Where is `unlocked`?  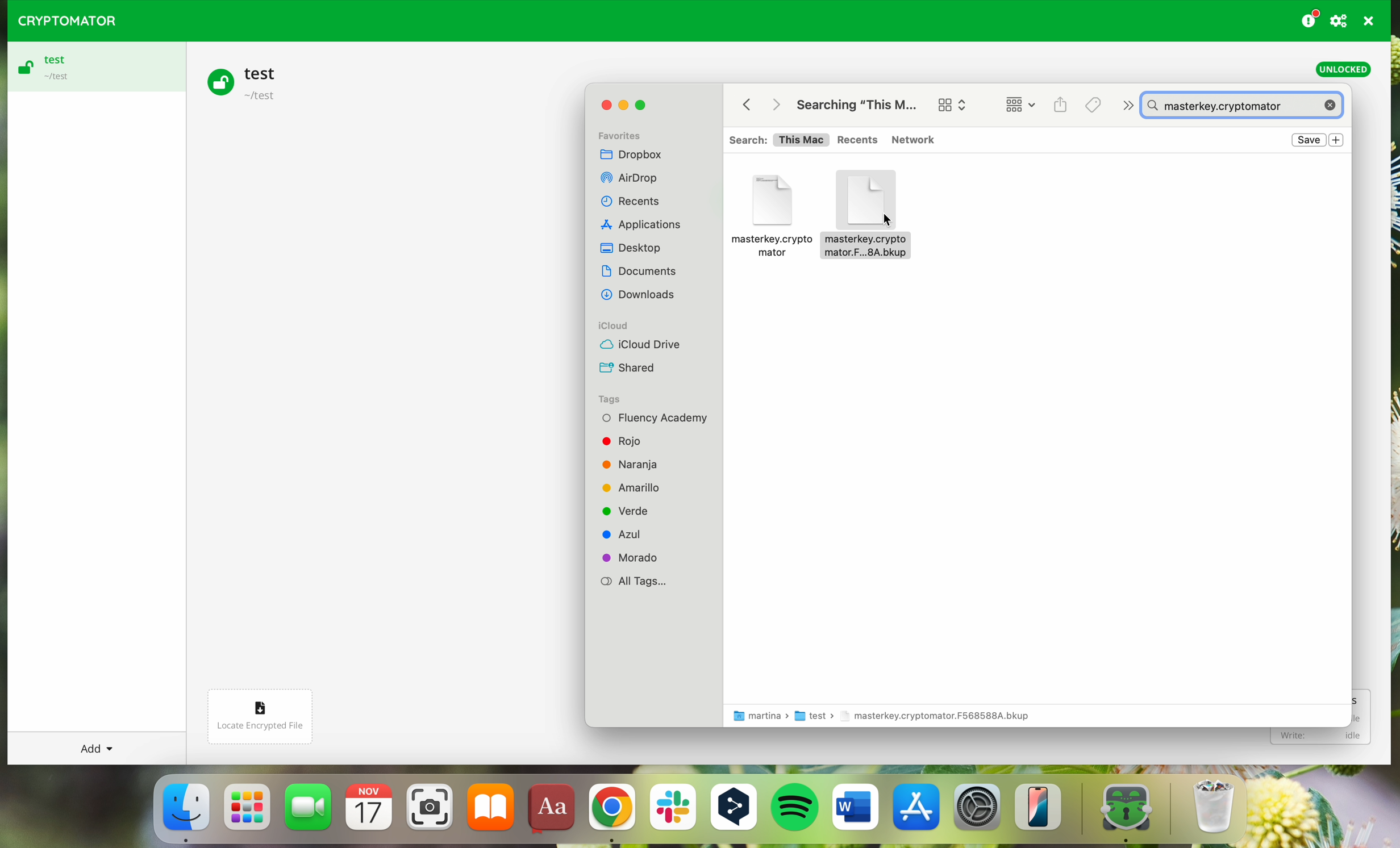
unlocked is located at coordinates (1343, 70).